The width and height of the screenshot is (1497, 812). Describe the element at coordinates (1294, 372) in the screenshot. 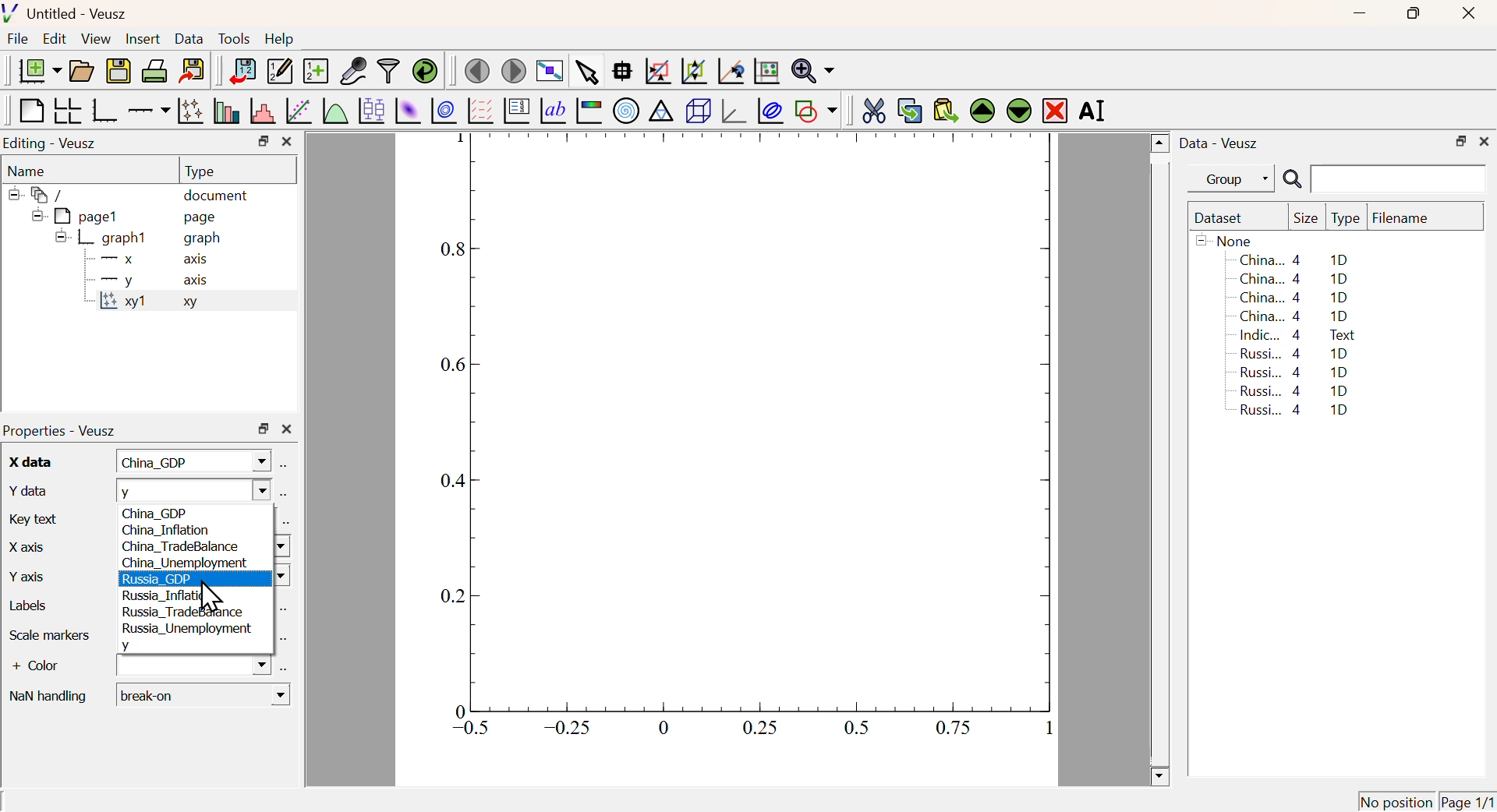

I see `Russi... 4 1D` at that location.